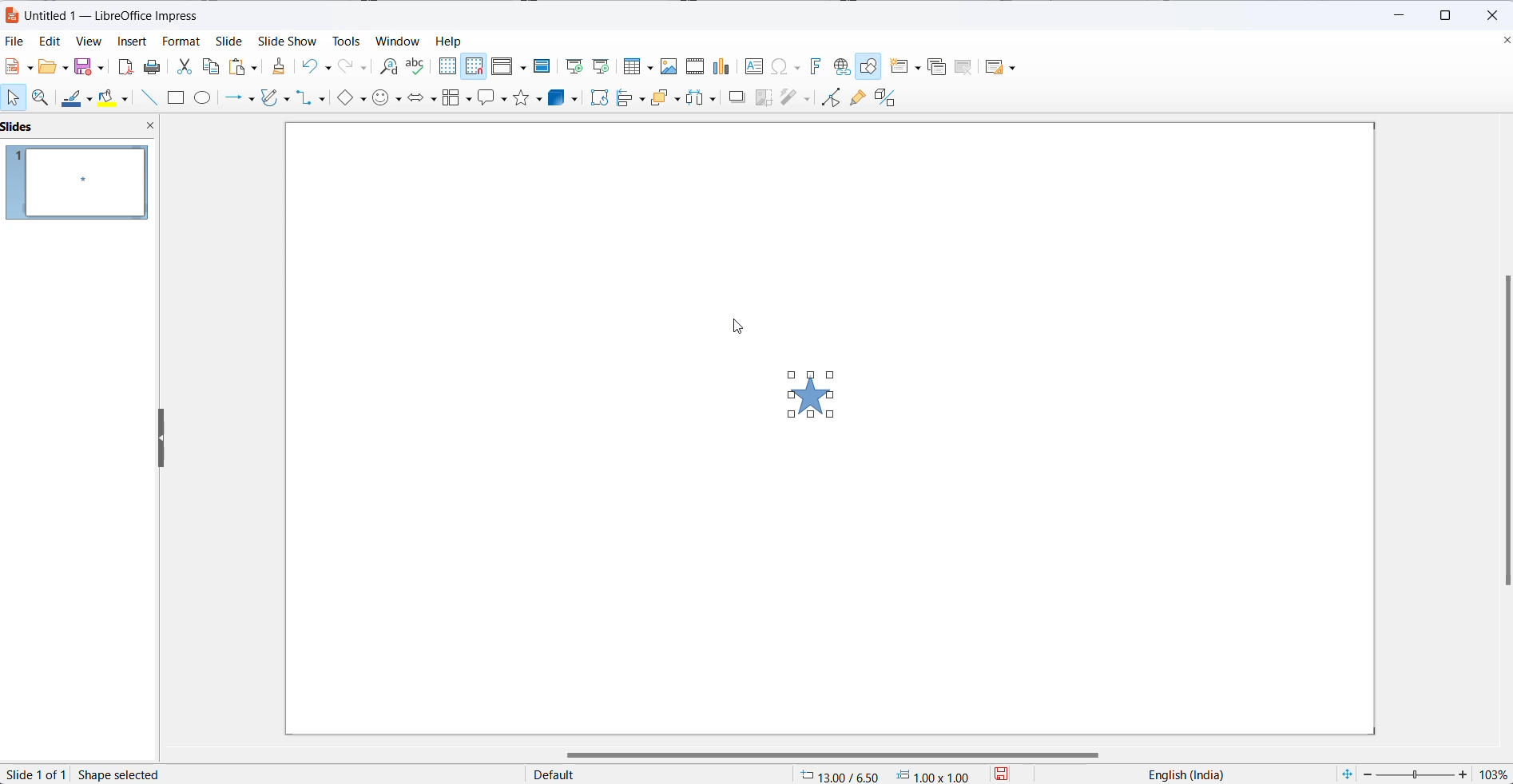  I want to click on align, so click(631, 99).